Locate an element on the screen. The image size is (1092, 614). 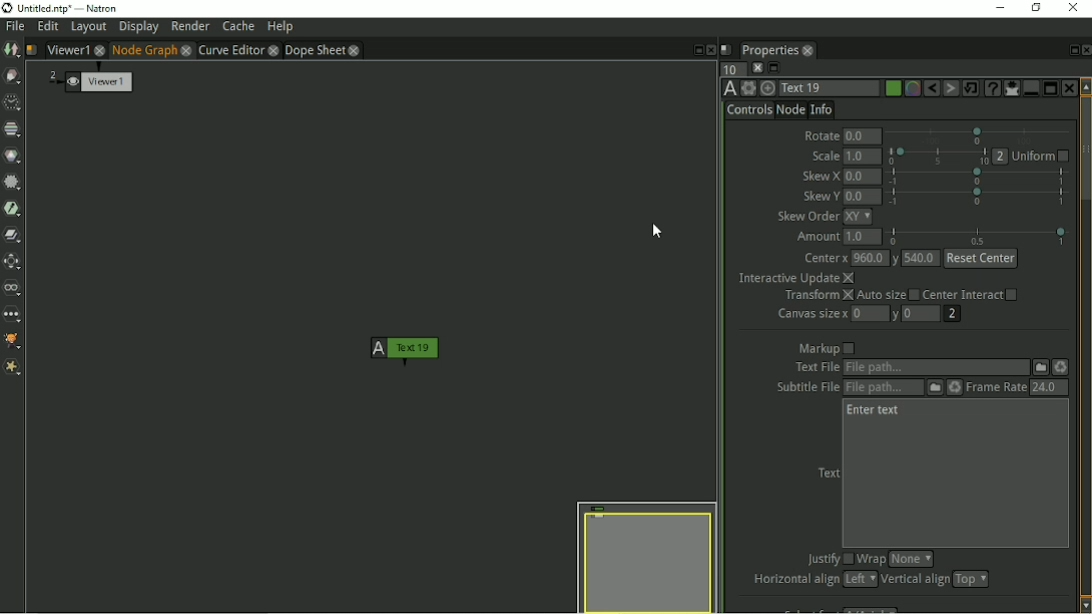
Center Interact is located at coordinates (978, 295).